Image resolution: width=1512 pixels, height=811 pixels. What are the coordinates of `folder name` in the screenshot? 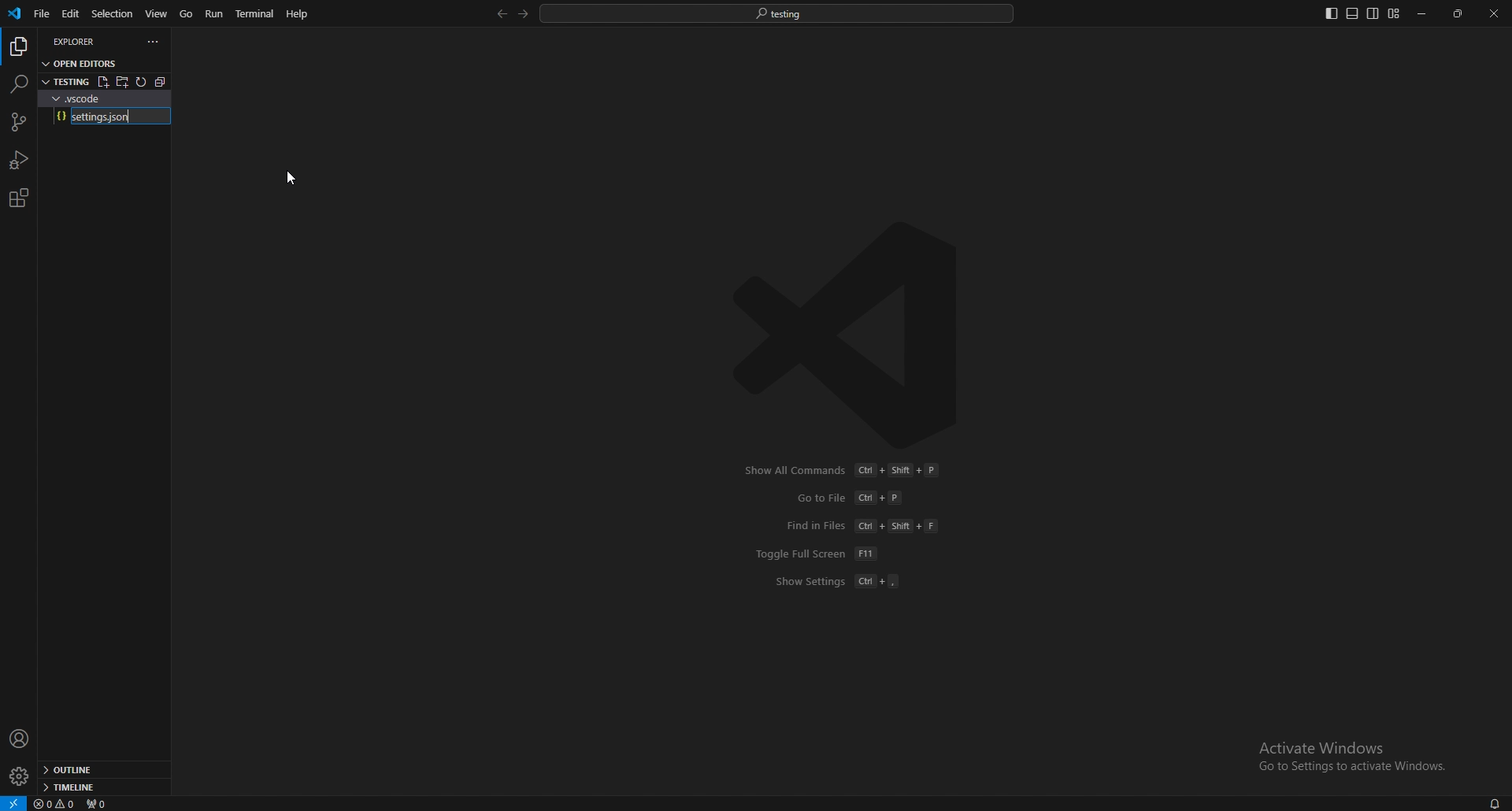 It's located at (94, 97).